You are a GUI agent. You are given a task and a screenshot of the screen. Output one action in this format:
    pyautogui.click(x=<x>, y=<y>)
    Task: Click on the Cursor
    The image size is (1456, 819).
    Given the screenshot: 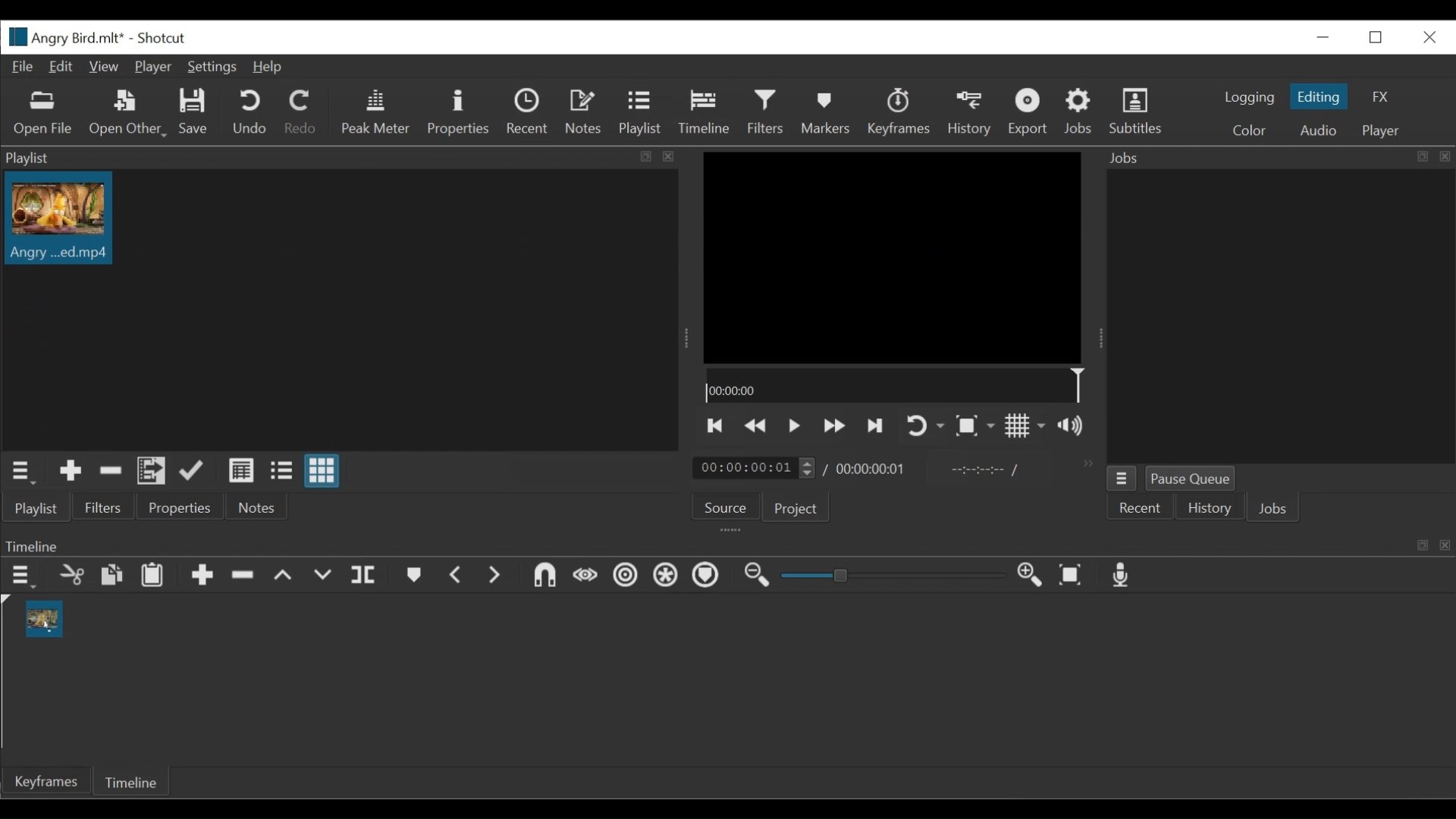 What is the action you would take?
    pyautogui.click(x=704, y=116)
    